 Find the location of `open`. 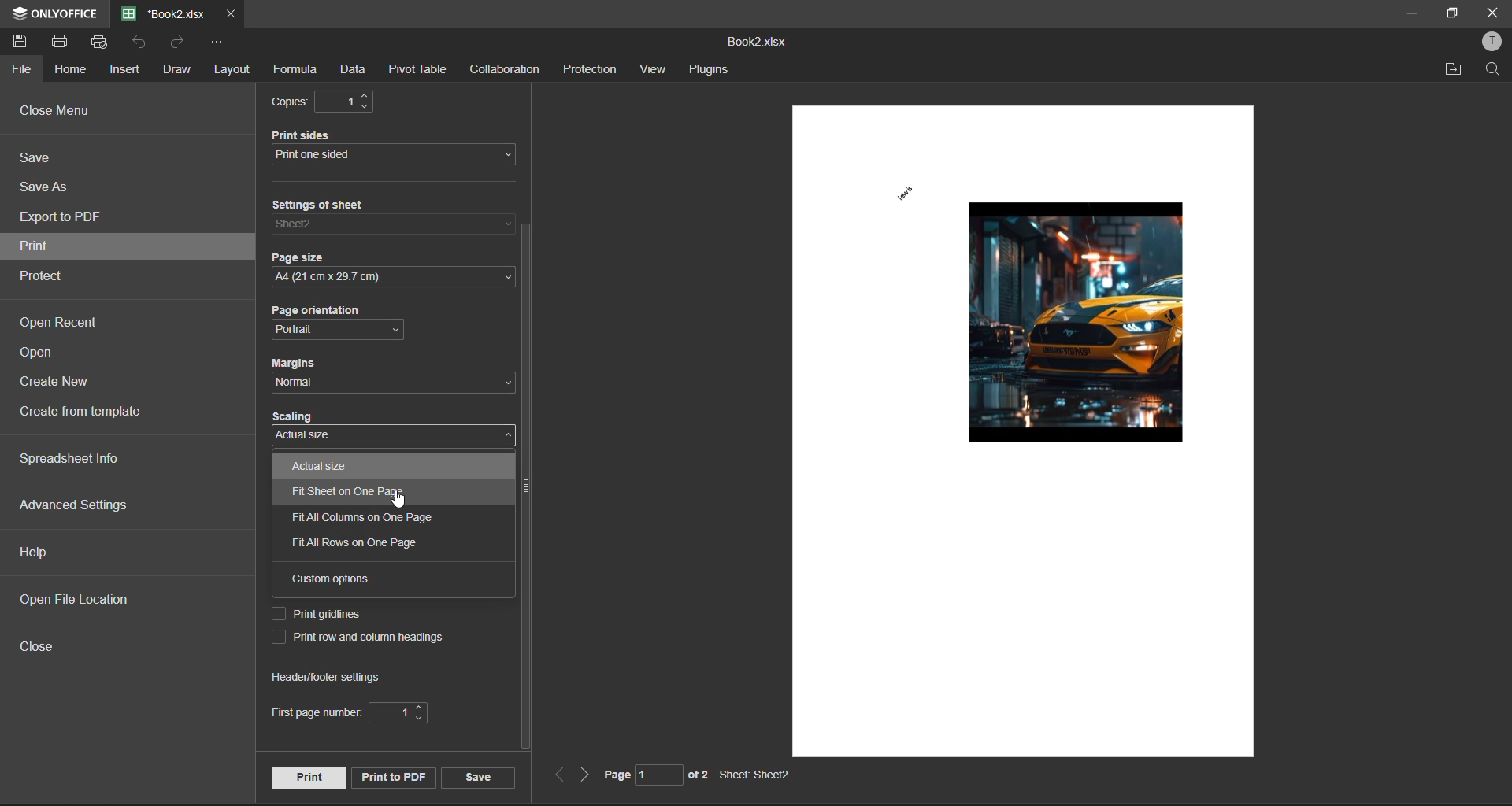

open is located at coordinates (43, 355).